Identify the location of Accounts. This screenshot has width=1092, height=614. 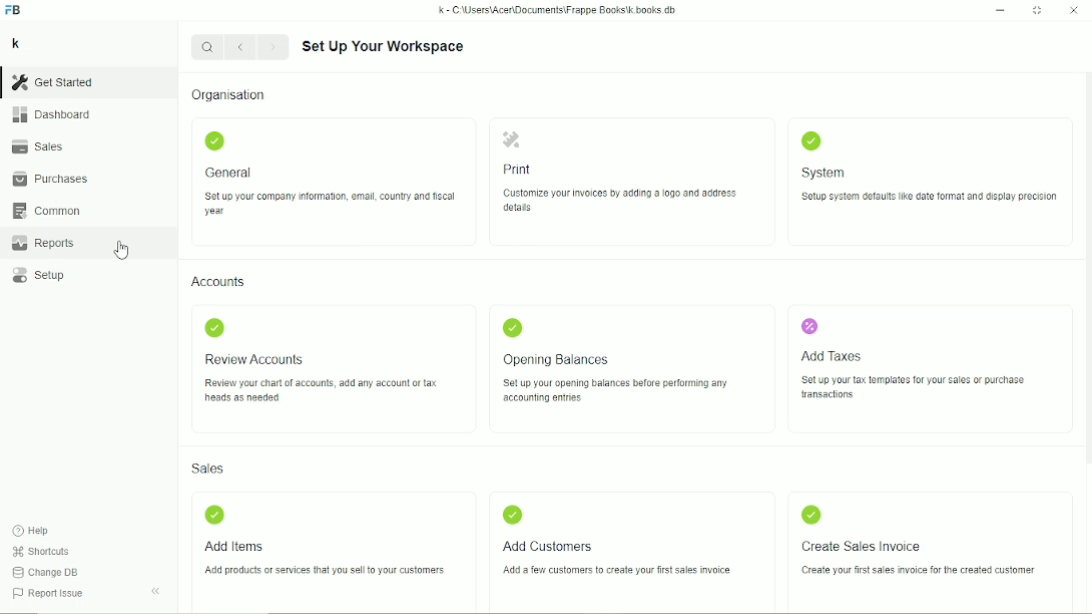
(219, 282).